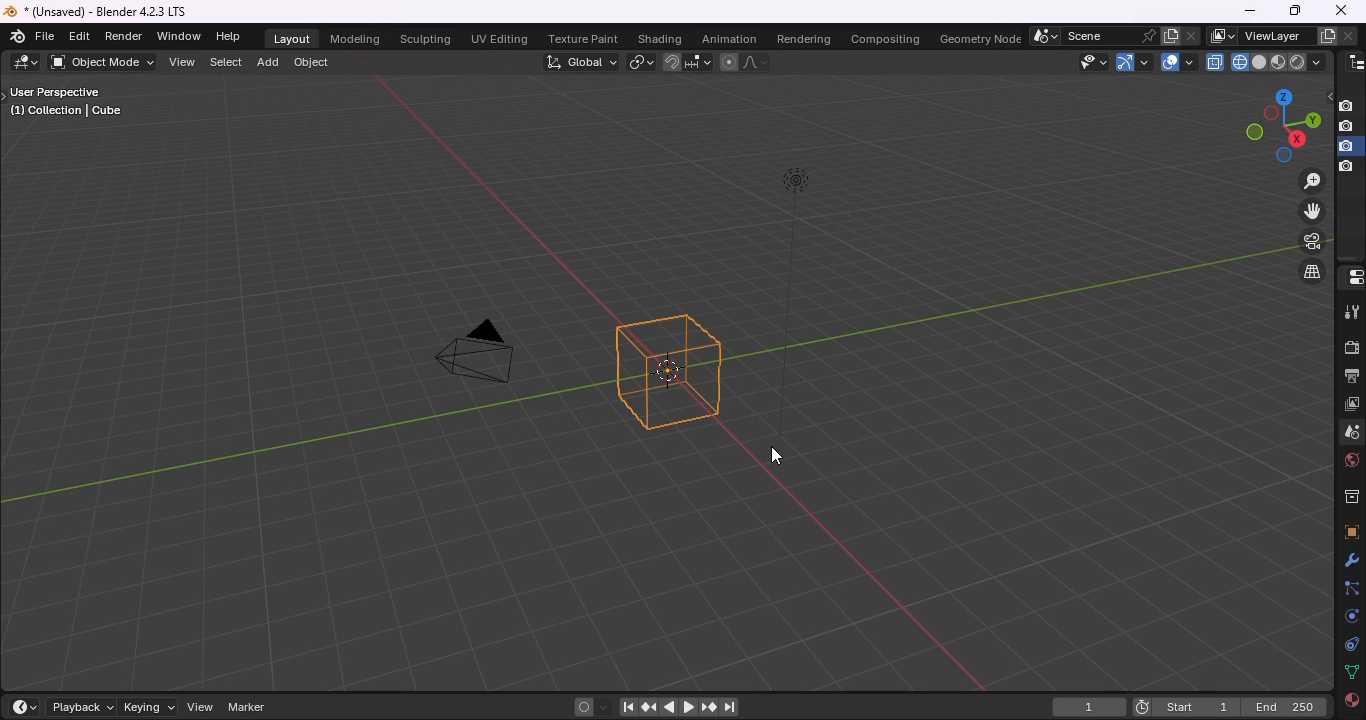  I want to click on Reverse, so click(674, 707).